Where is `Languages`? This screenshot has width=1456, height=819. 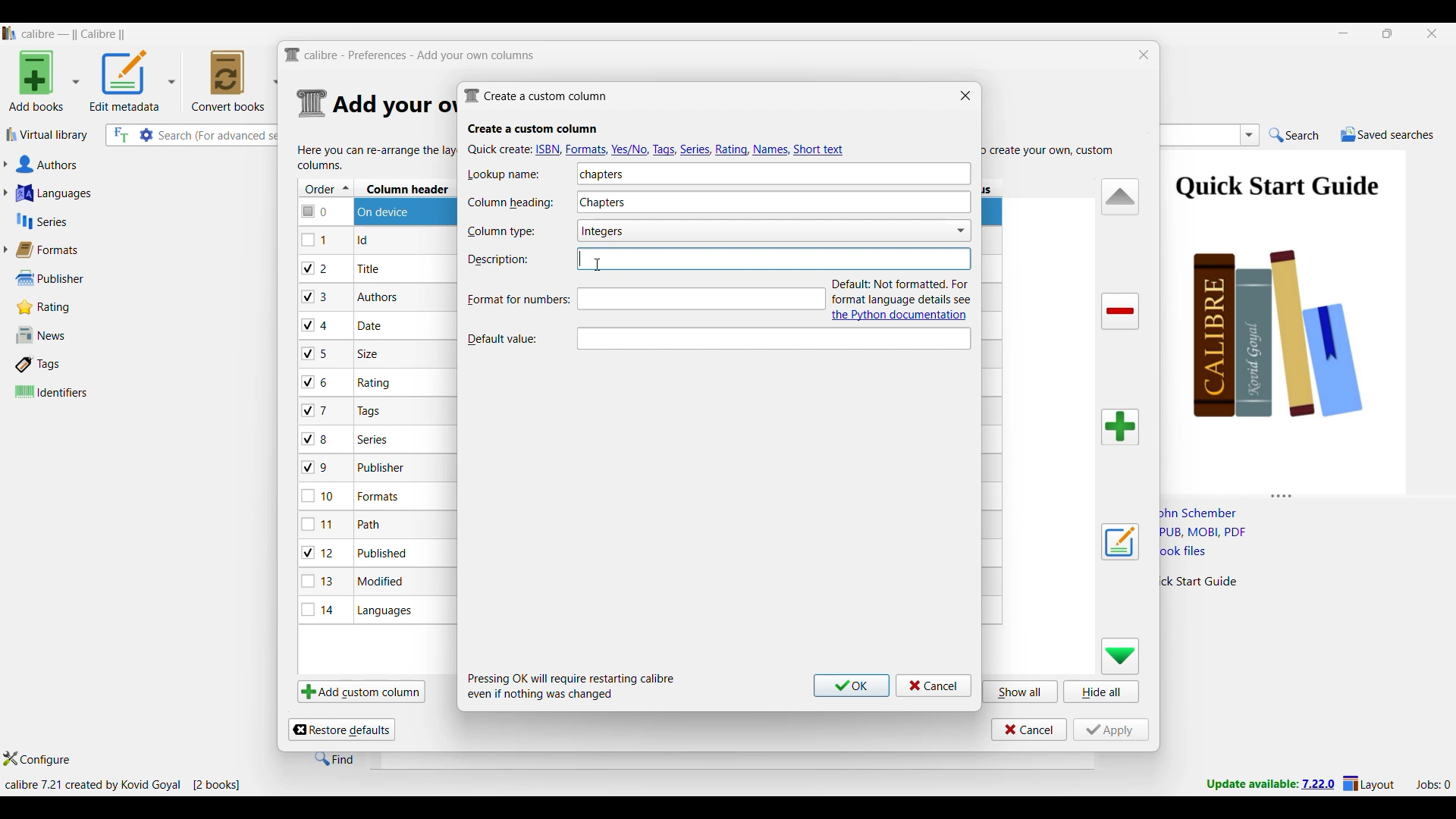
Languages is located at coordinates (115, 193).